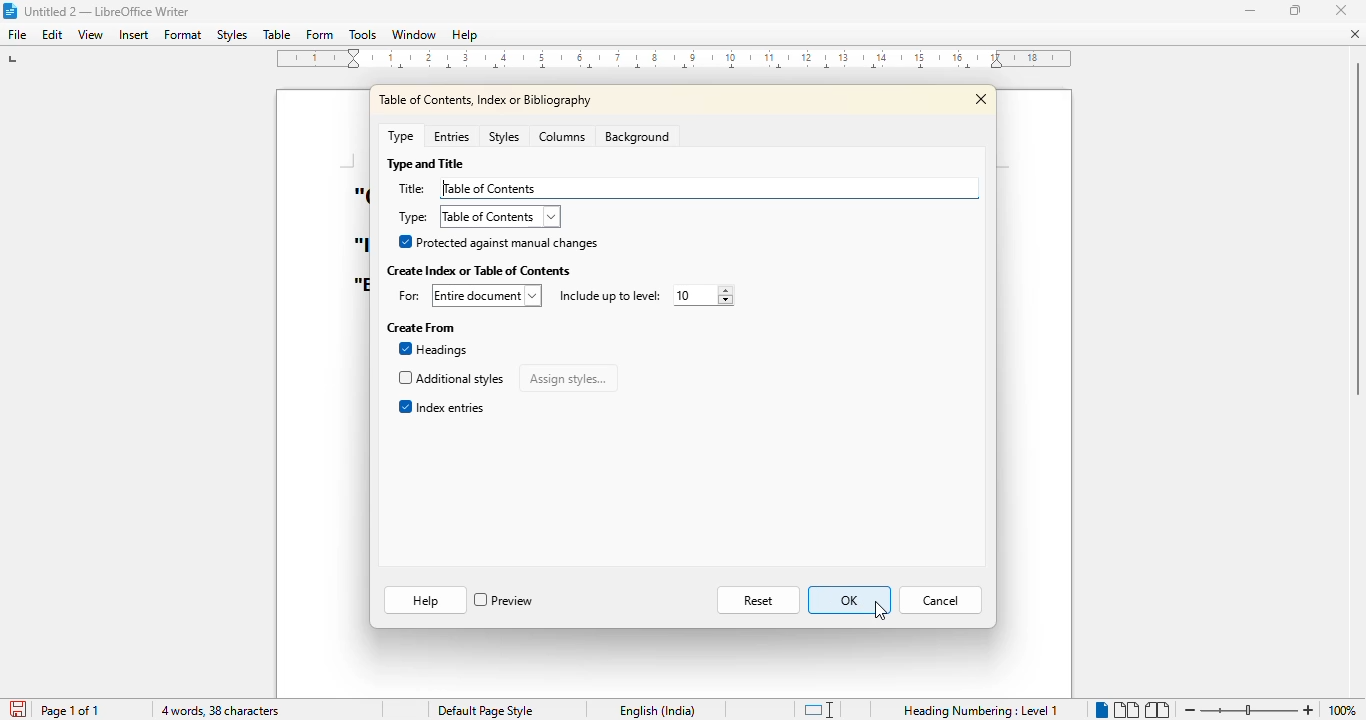 This screenshot has height=720, width=1366. Describe the element at coordinates (658, 711) in the screenshot. I see `text language` at that location.